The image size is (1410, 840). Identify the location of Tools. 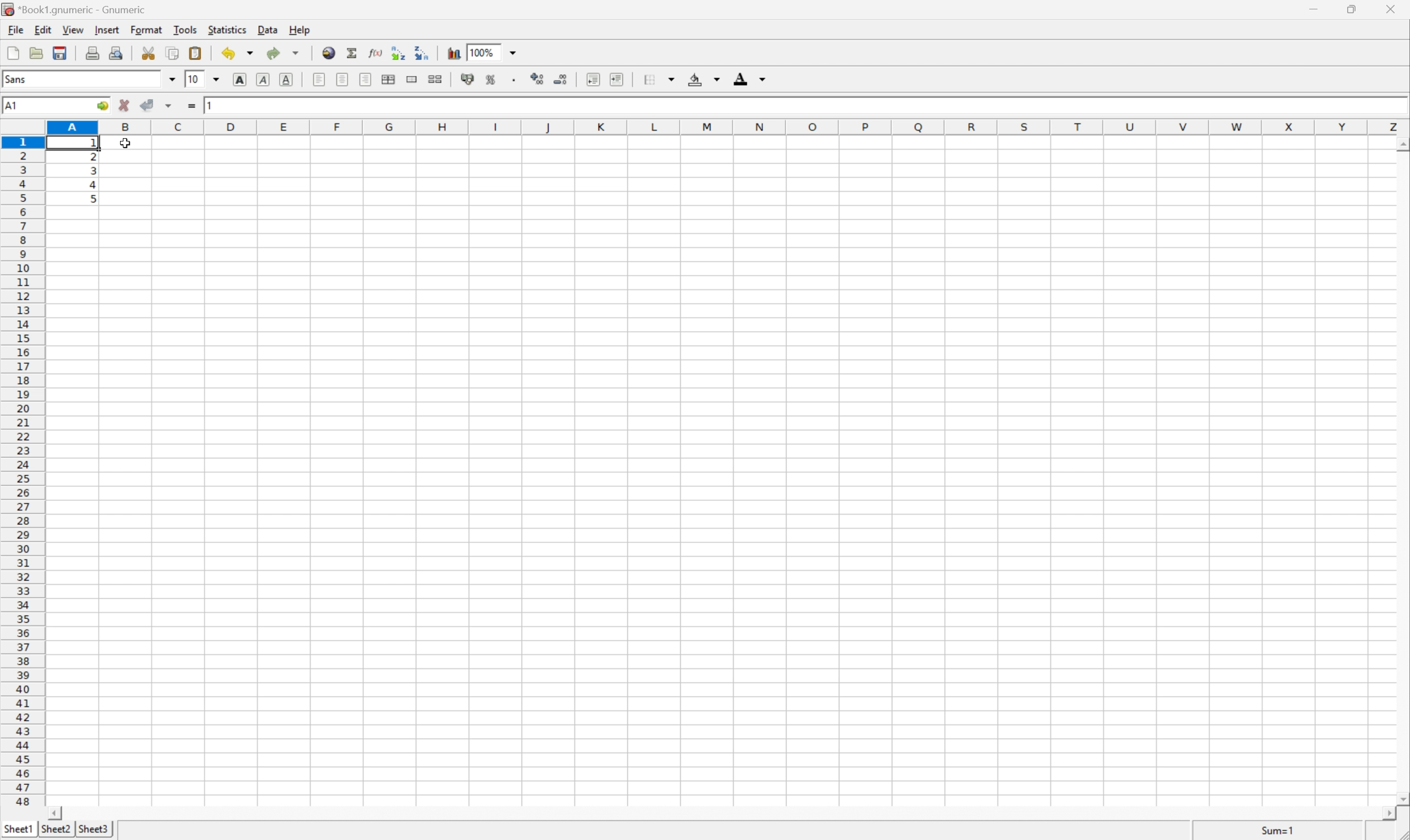
(185, 30).